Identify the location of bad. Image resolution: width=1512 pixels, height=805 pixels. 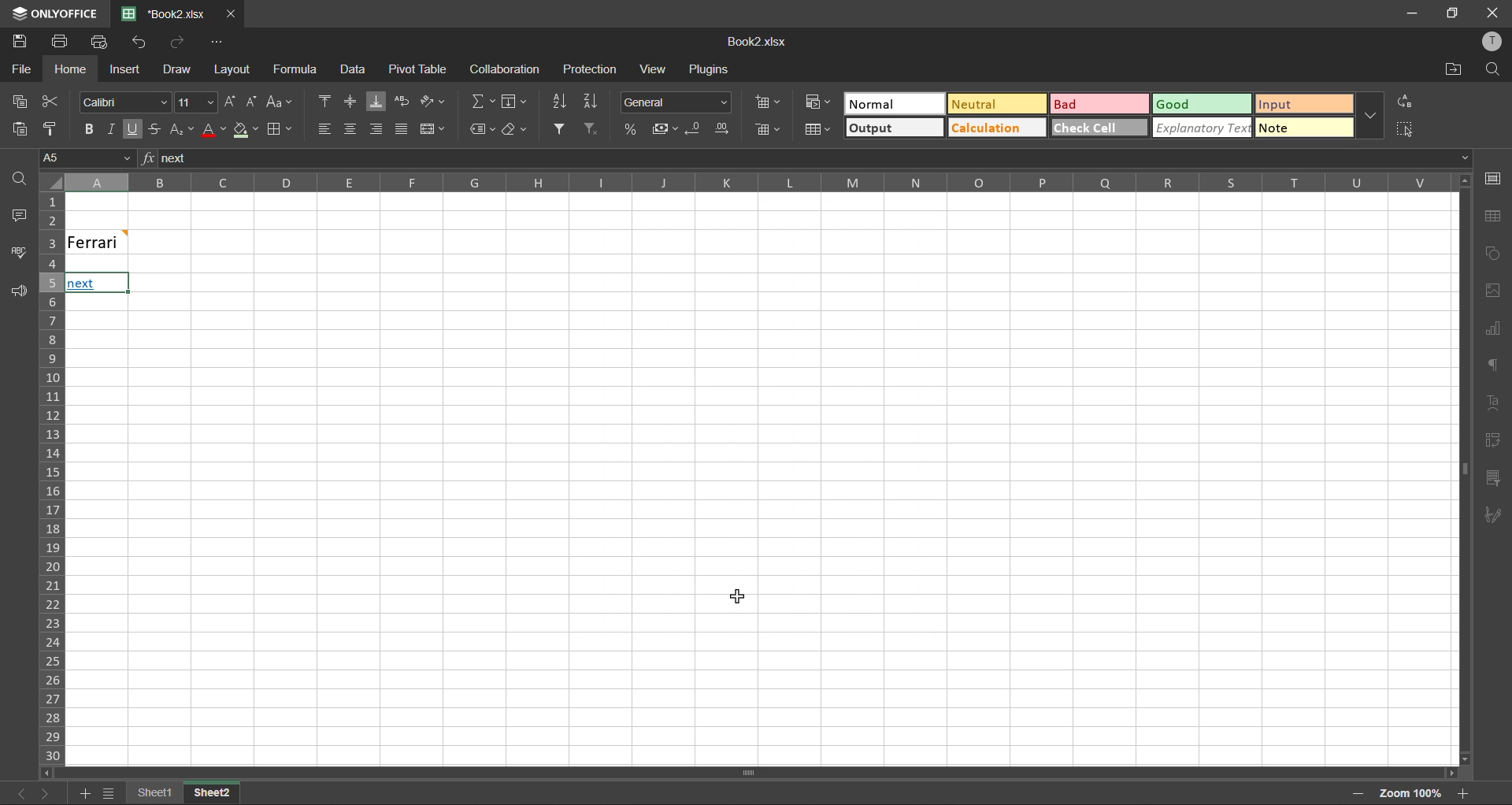
(1081, 103).